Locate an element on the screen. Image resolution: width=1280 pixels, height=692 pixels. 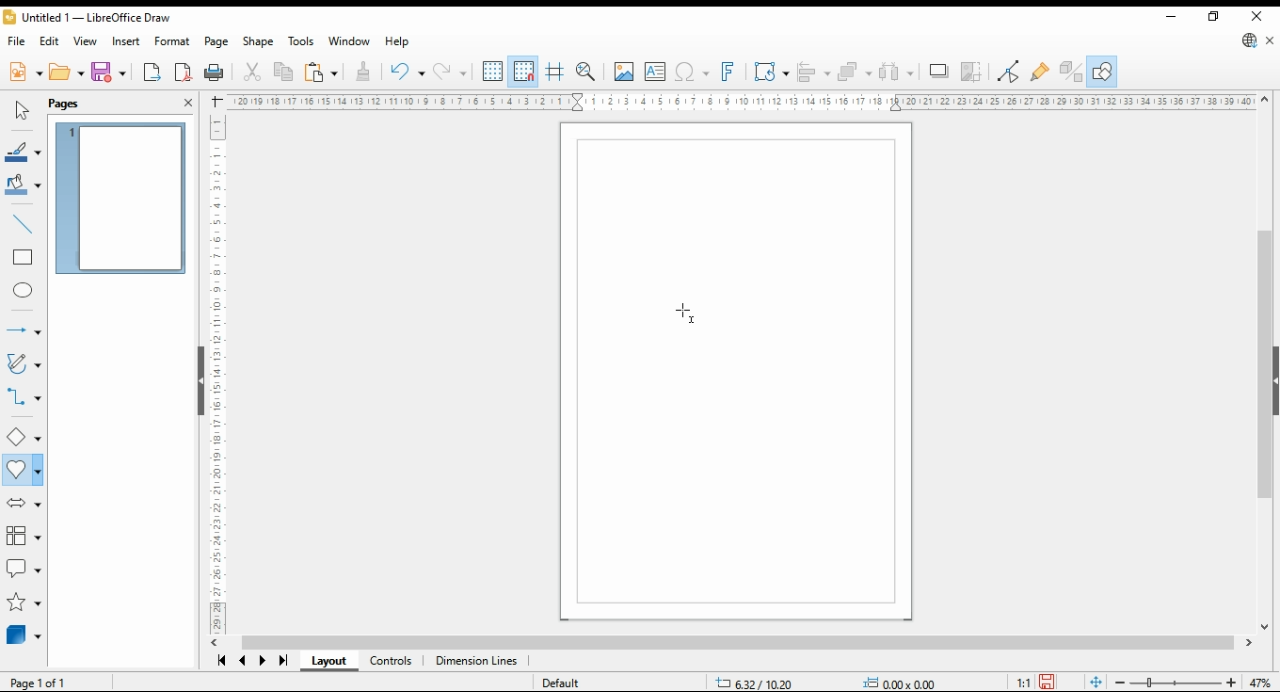
open  is located at coordinates (67, 72).